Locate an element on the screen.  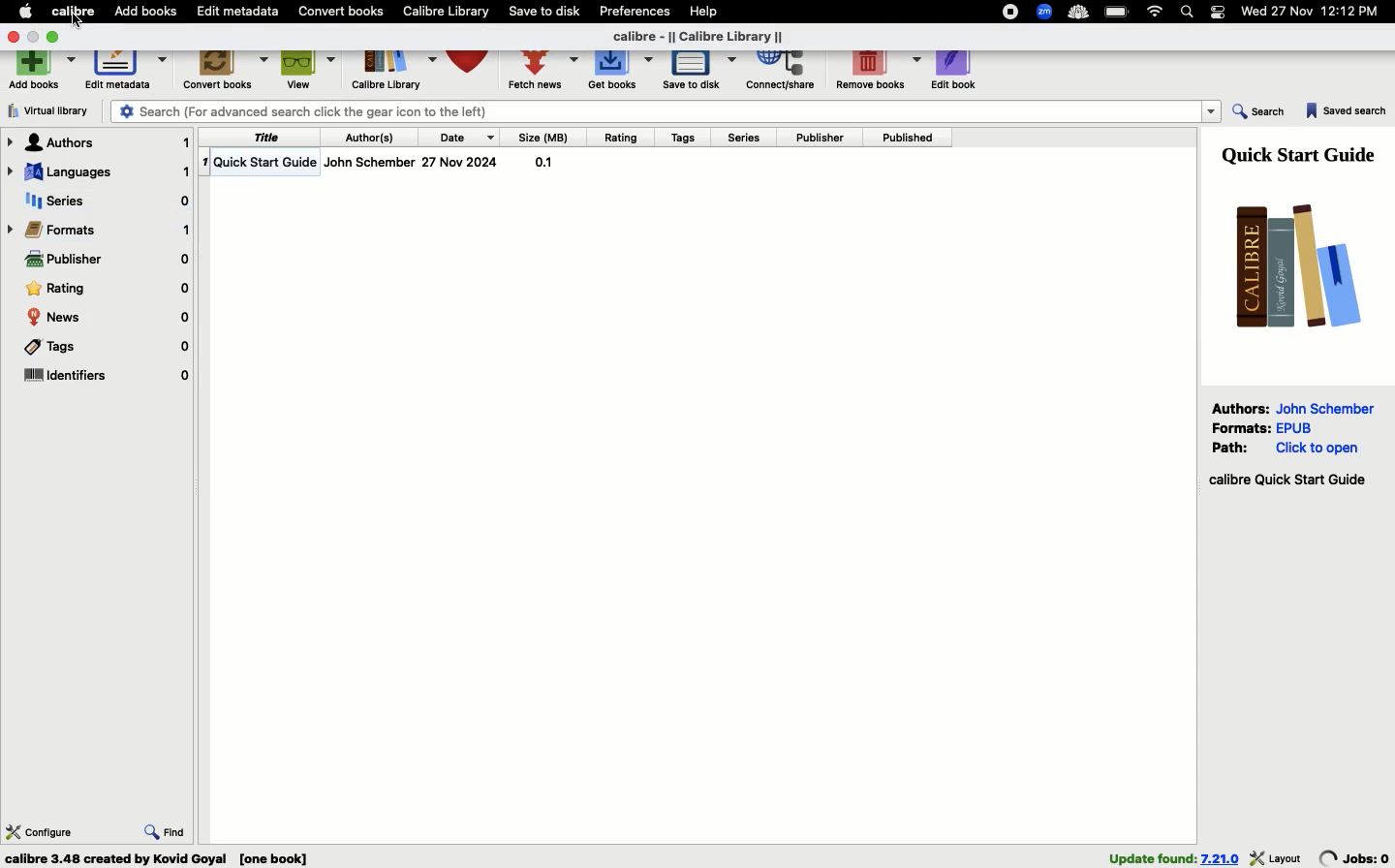
Path is located at coordinates (1233, 447).